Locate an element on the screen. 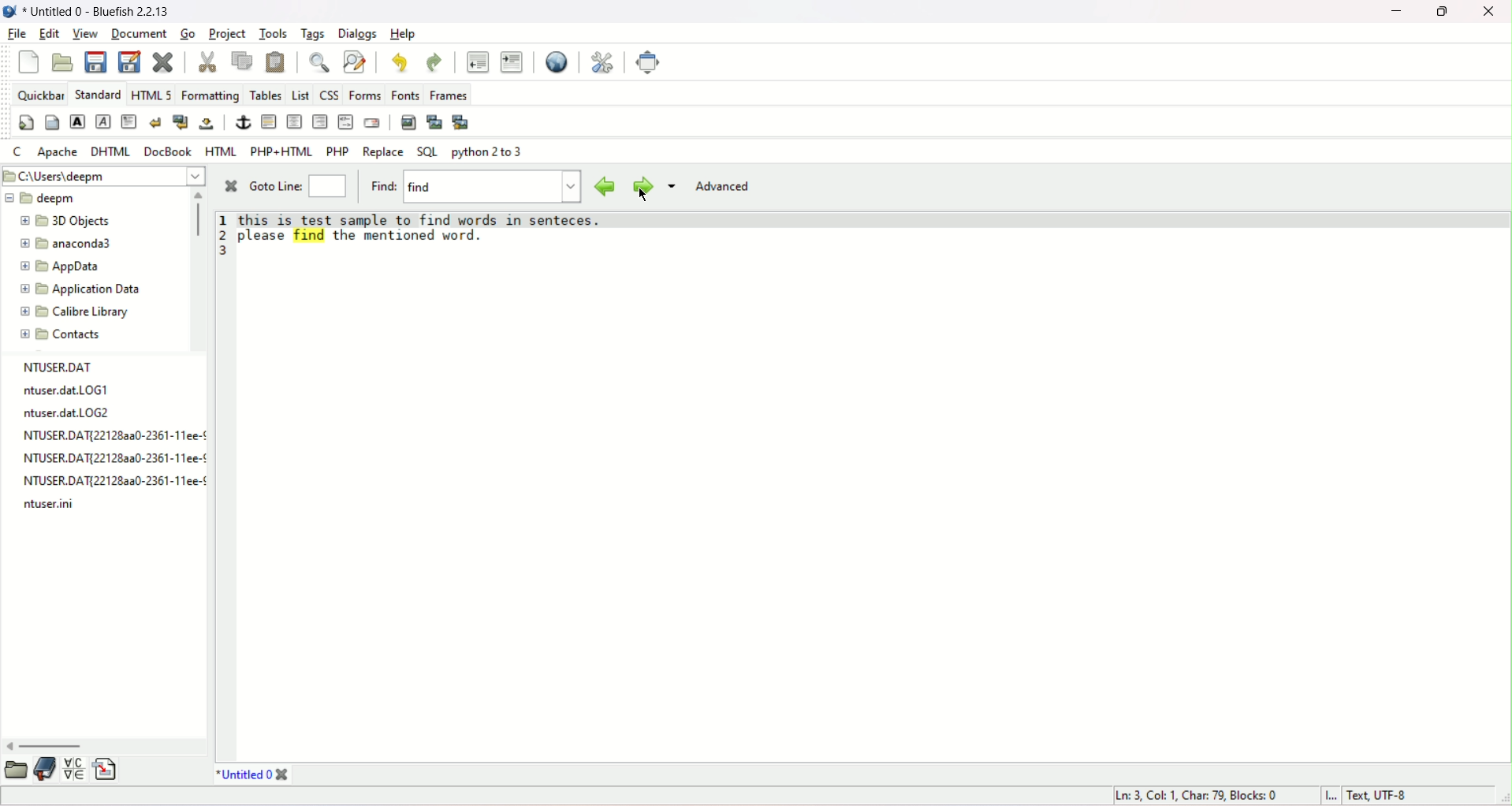  right justify is located at coordinates (319, 123).